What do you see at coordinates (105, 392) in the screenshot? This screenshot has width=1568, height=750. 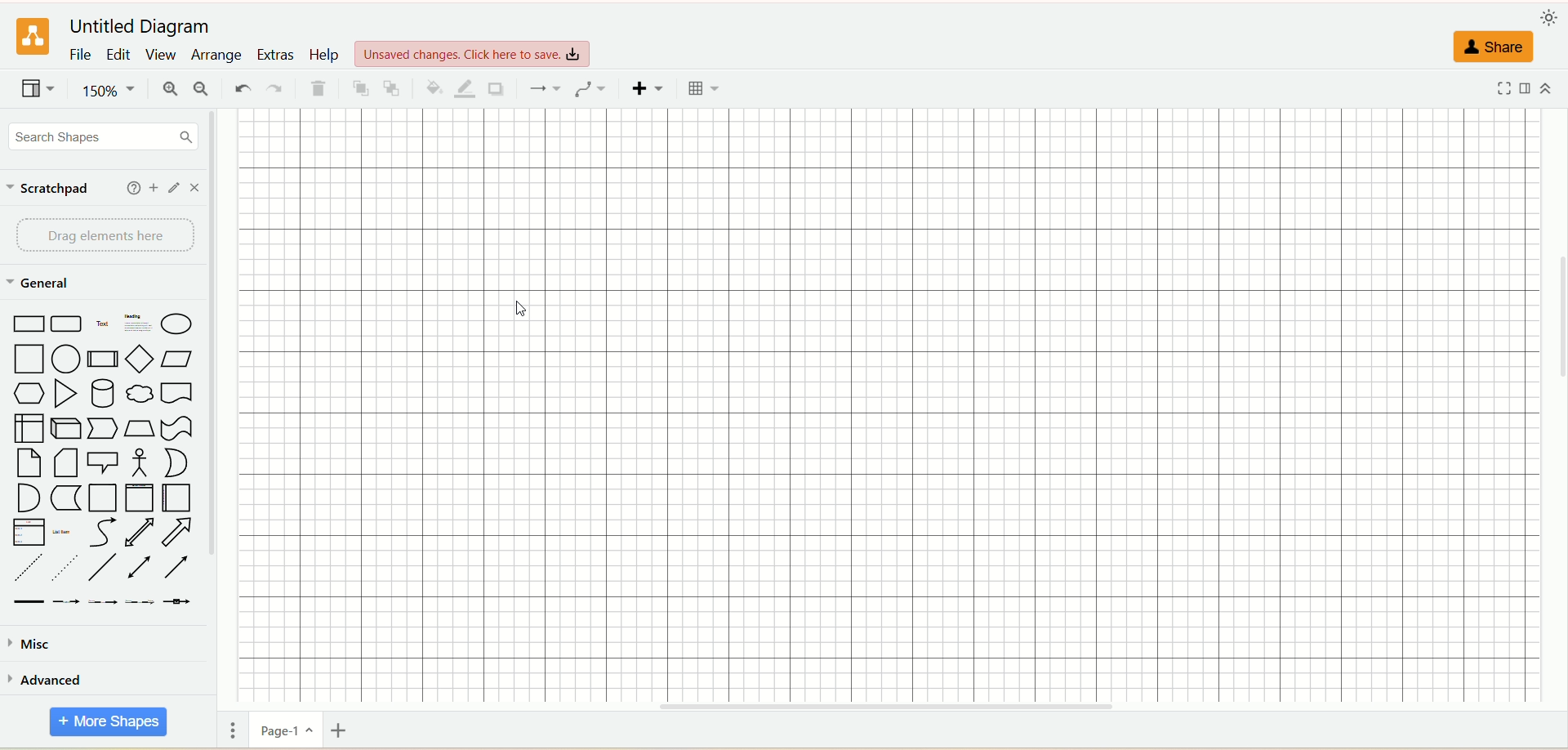 I see `cylinder` at bounding box center [105, 392].